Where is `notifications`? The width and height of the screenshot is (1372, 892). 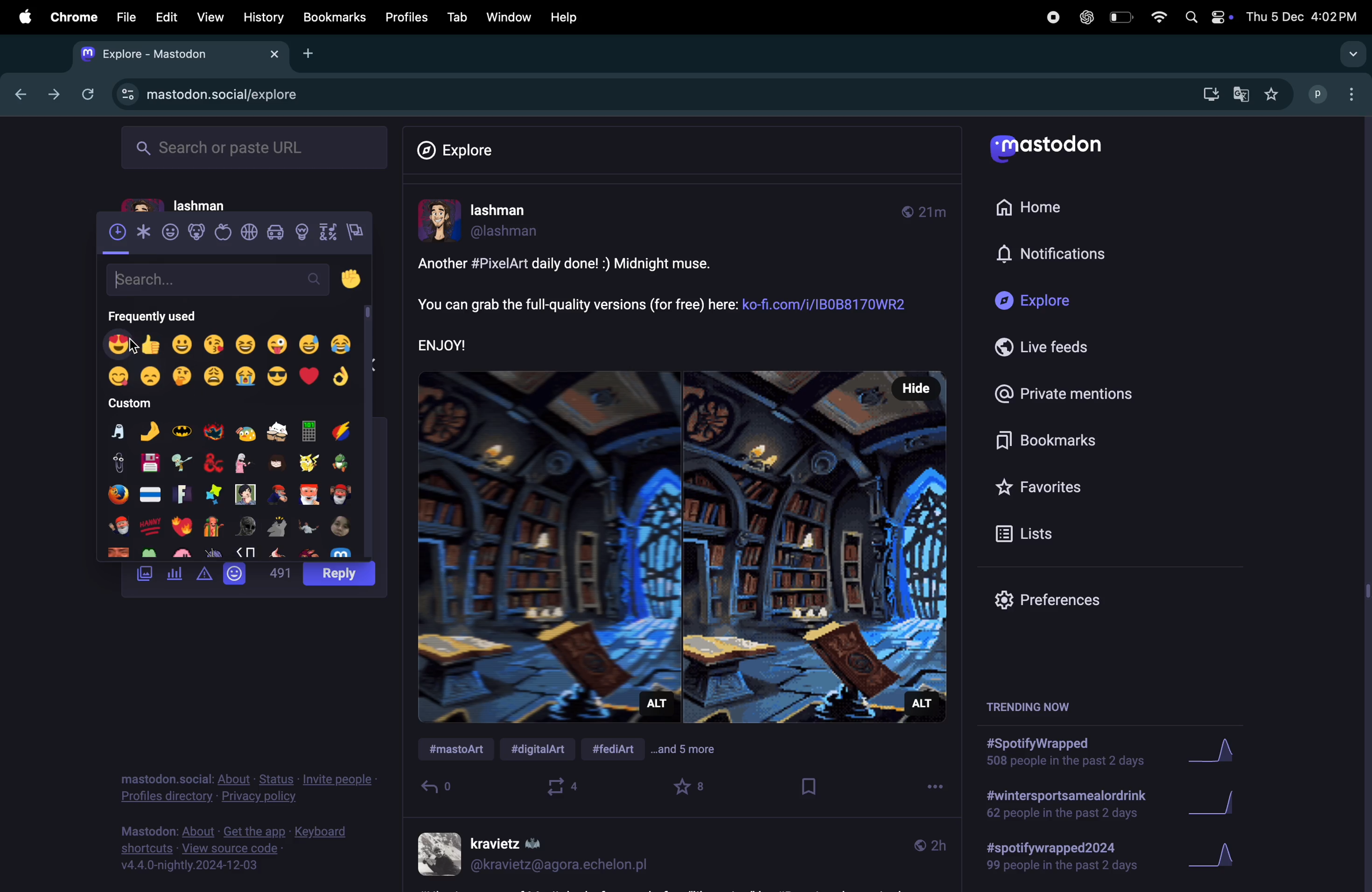
notifications is located at coordinates (1093, 256).